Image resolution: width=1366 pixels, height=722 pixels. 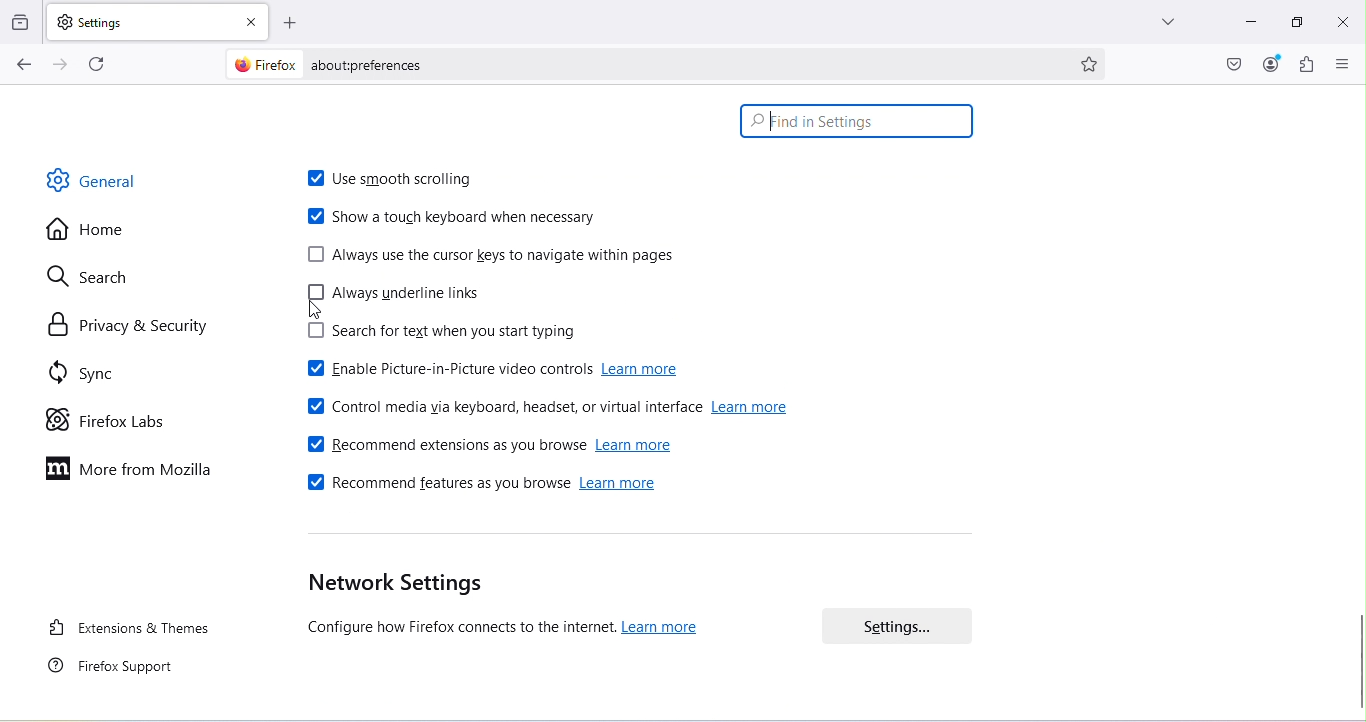 What do you see at coordinates (623, 485) in the screenshot?
I see `learn more` at bounding box center [623, 485].